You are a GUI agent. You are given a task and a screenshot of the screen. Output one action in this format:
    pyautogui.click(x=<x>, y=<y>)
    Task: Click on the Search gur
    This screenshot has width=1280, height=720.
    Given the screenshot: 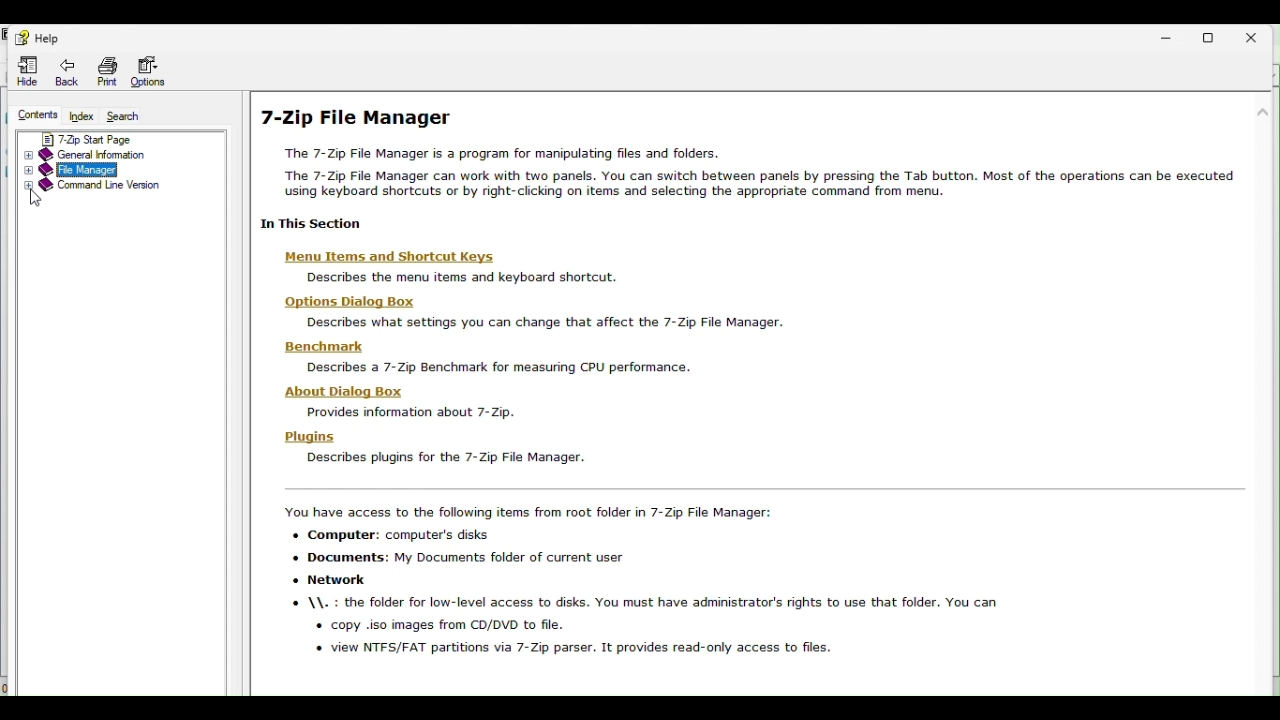 What is the action you would take?
    pyautogui.click(x=124, y=116)
    